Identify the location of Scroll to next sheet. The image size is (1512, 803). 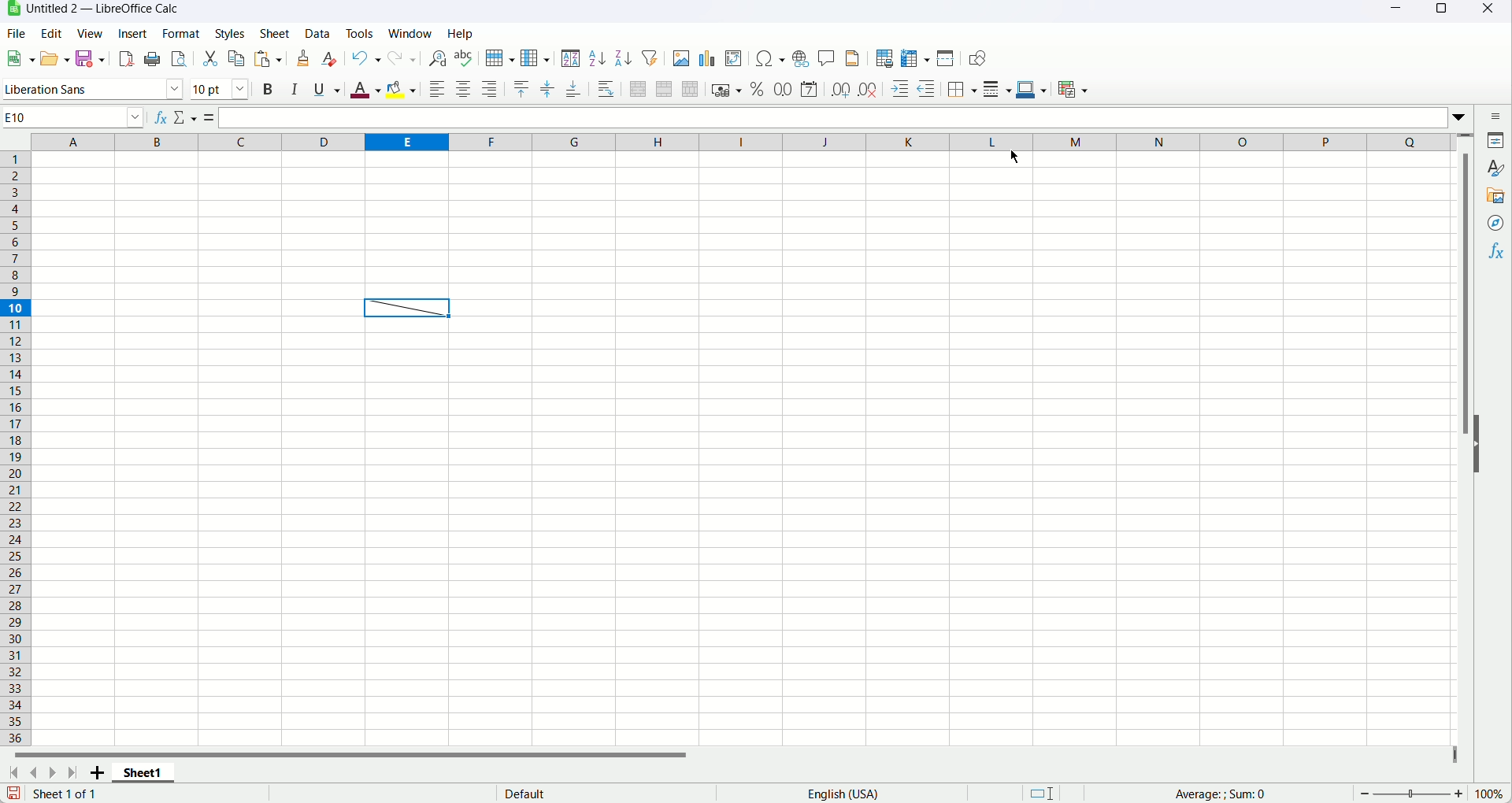
(54, 773).